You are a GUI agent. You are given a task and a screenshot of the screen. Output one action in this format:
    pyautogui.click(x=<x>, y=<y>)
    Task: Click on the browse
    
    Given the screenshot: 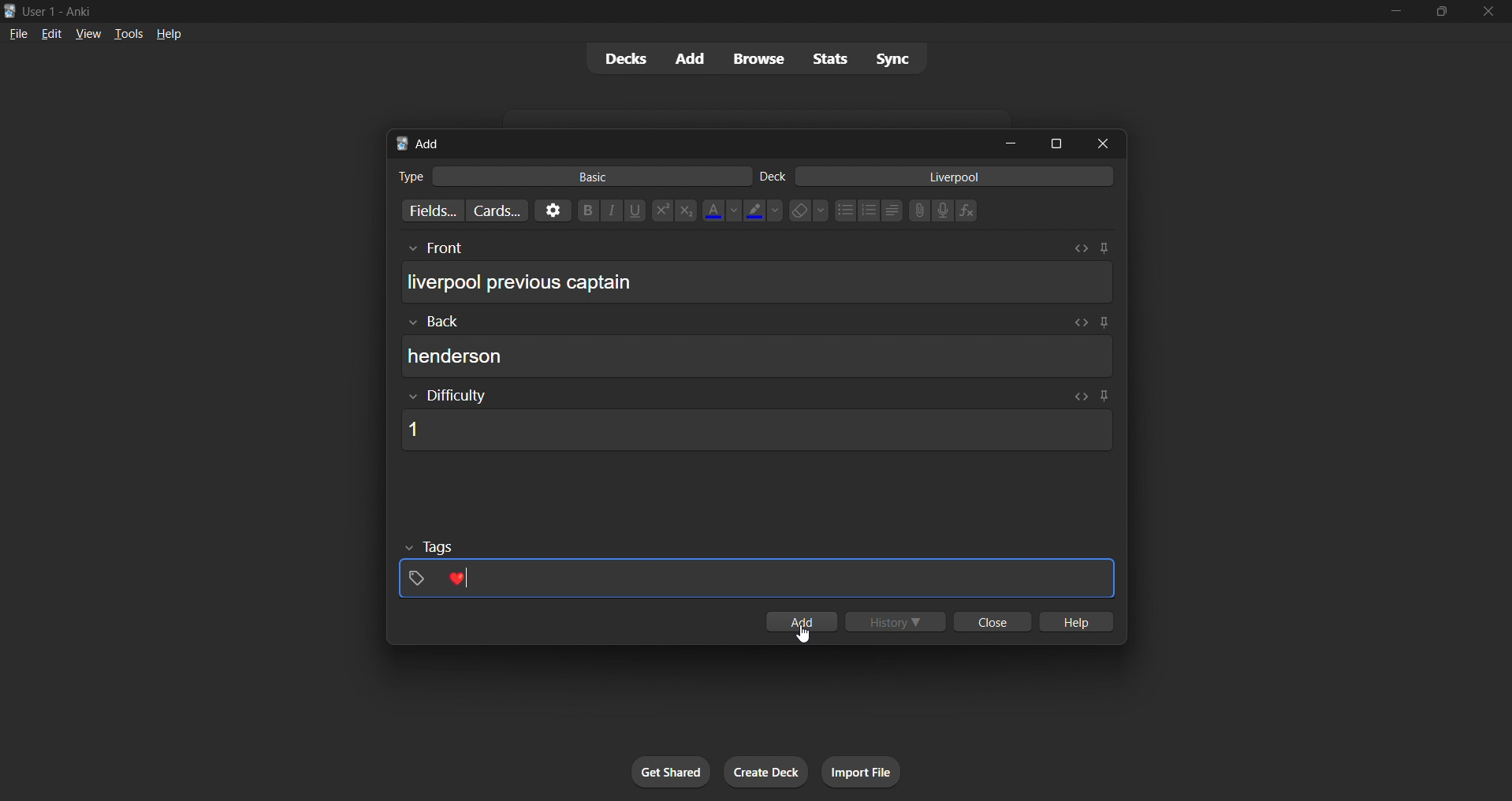 What is the action you would take?
    pyautogui.click(x=755, y=58)
    